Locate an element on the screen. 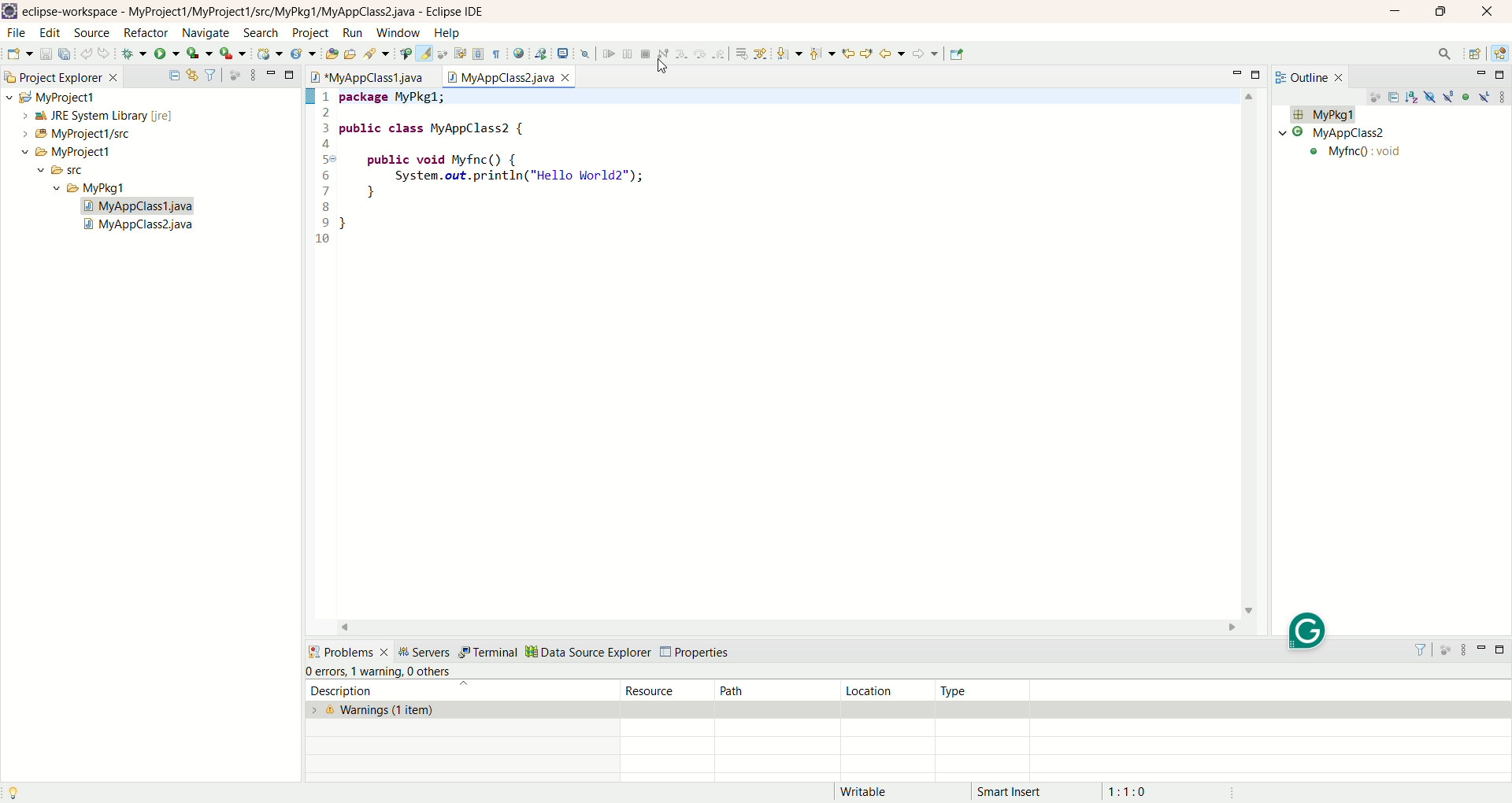  open type is located at coordinates (329, 55).